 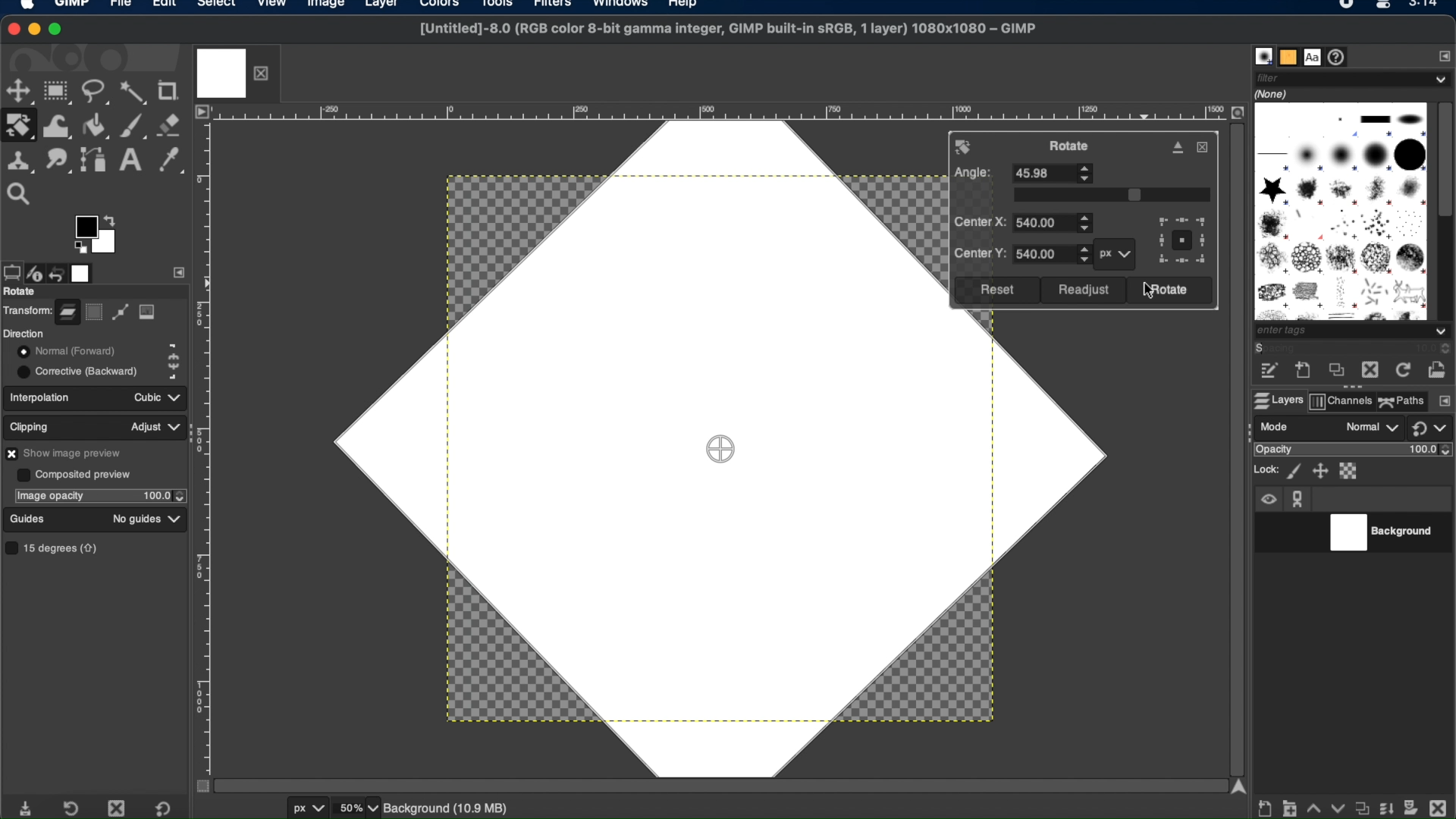 What do you see at coordinates (1337, 808) in the screenshot?
I see `lower this layer` at bounding box center [1337, 808].